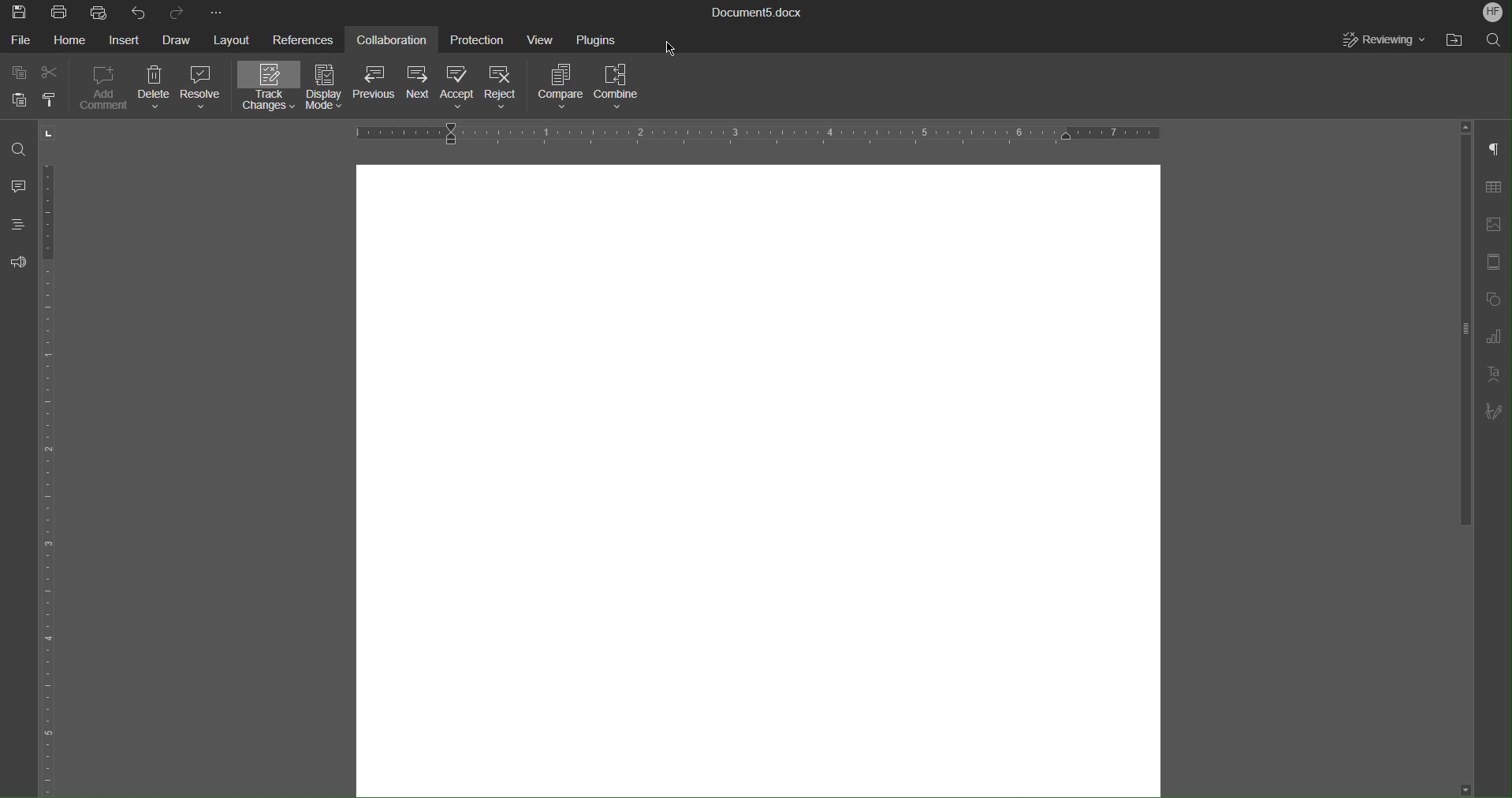 Image resolution: width=1512 pixels, height=798 pixels. Describe the element at coordinates (1492, 378) in the screenshot. I see `Text Art` at that location.